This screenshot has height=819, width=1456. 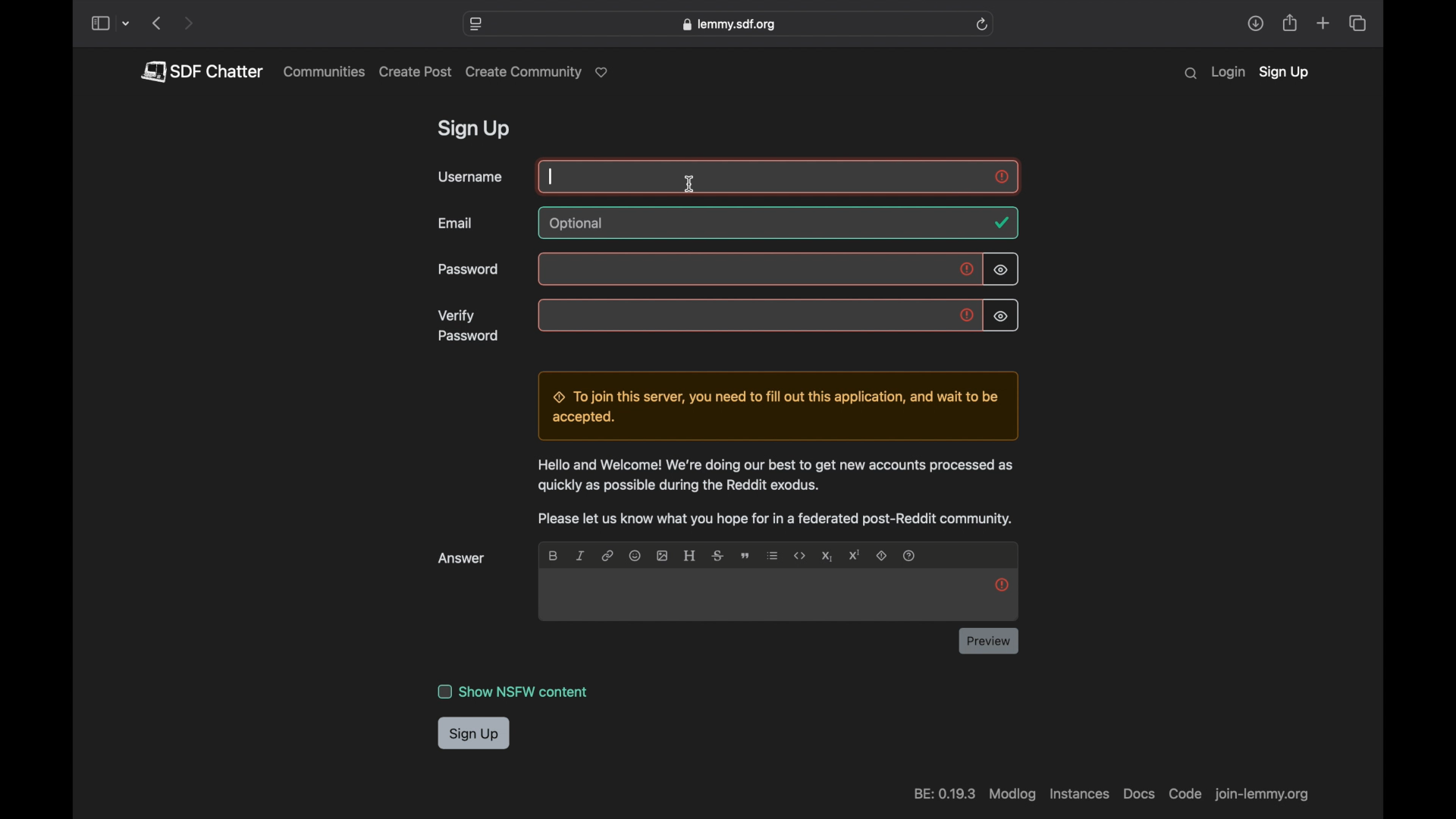 I want to click on docs, so click(x=1138, y=794).